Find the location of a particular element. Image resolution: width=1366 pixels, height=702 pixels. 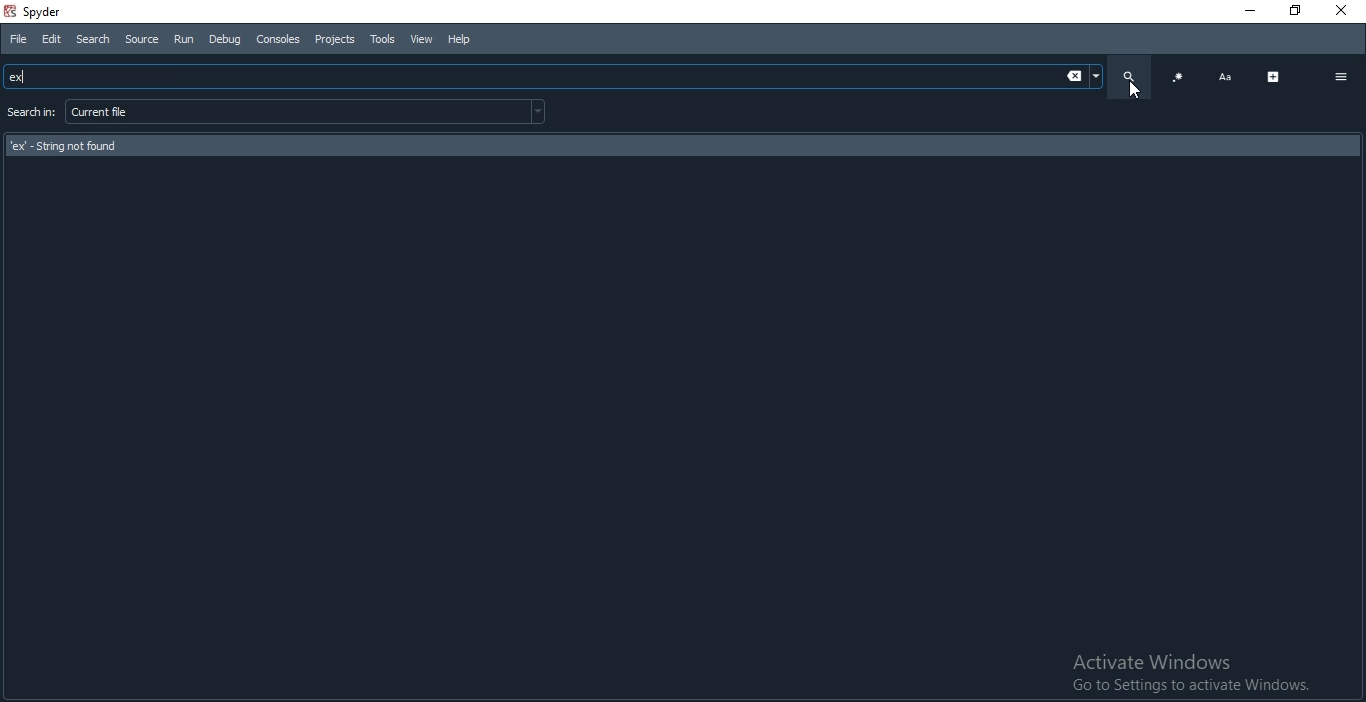

expand is located at coordinates (1273, 75).